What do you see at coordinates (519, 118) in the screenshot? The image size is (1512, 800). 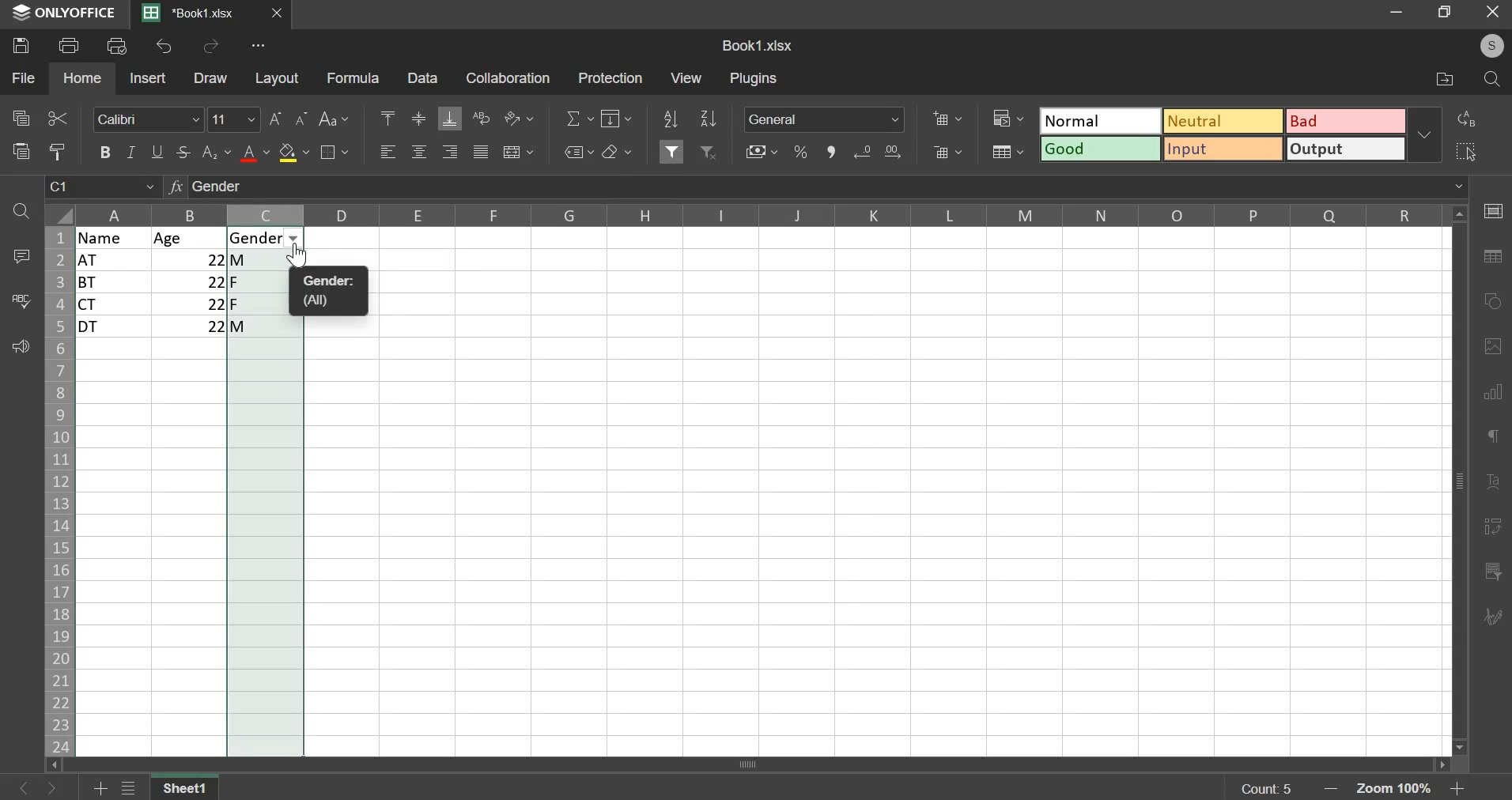 I see `orientation` at bounding box center [519, 118].